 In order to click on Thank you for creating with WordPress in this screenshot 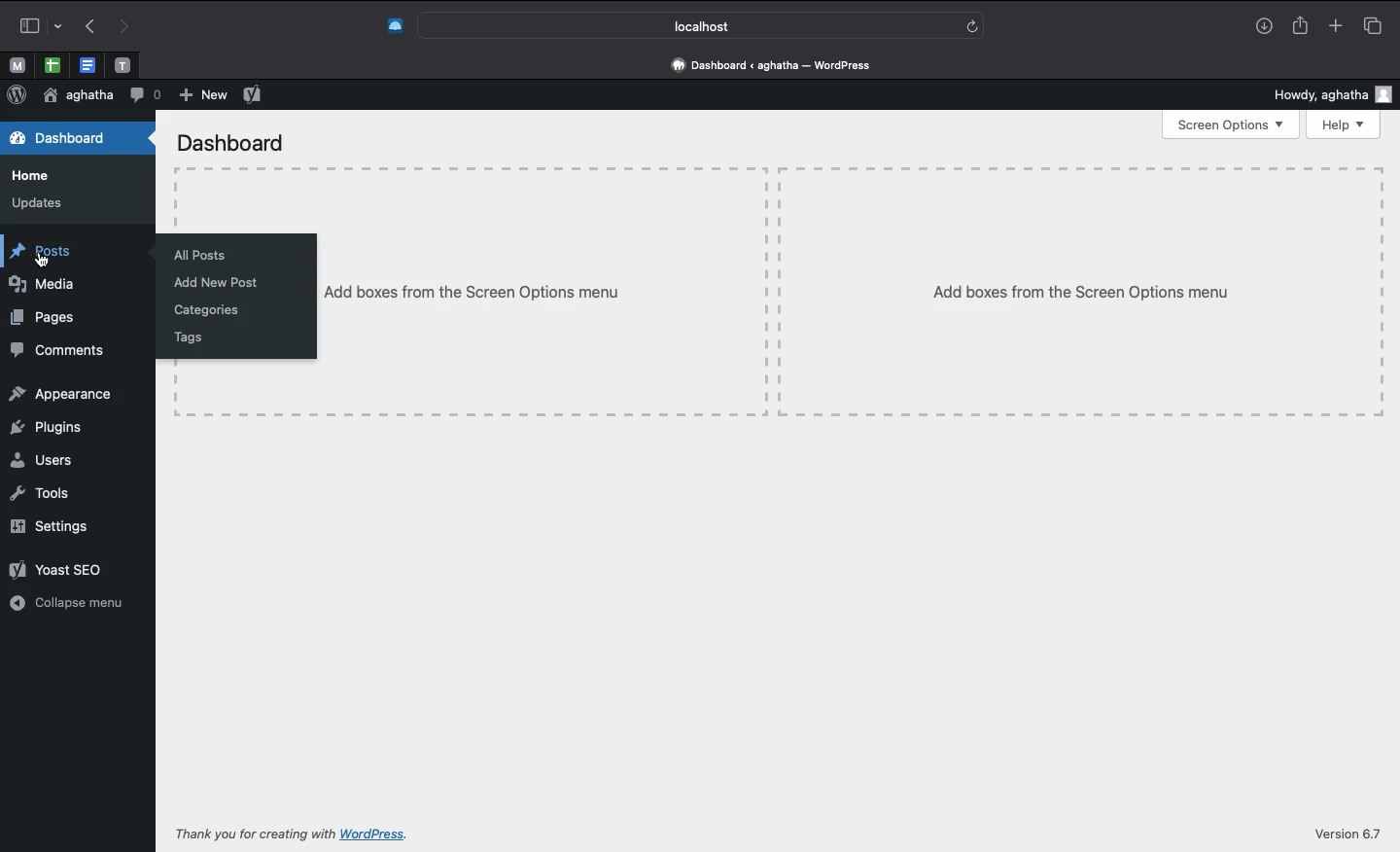, I will do `click(295, 834)`.